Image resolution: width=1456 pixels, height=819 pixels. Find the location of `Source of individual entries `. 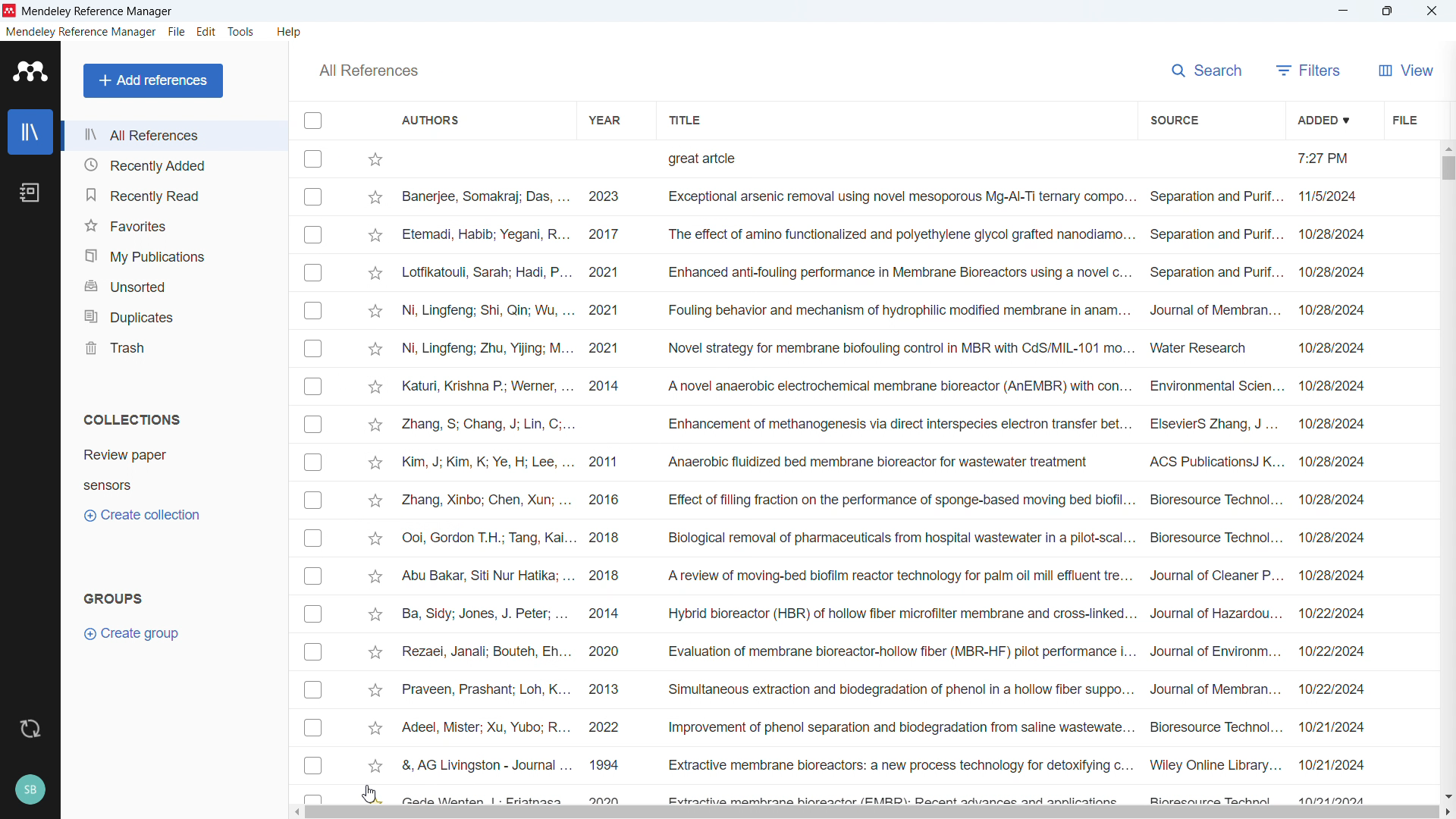

Source of individual entries  is located at coordinates (1214, 493).